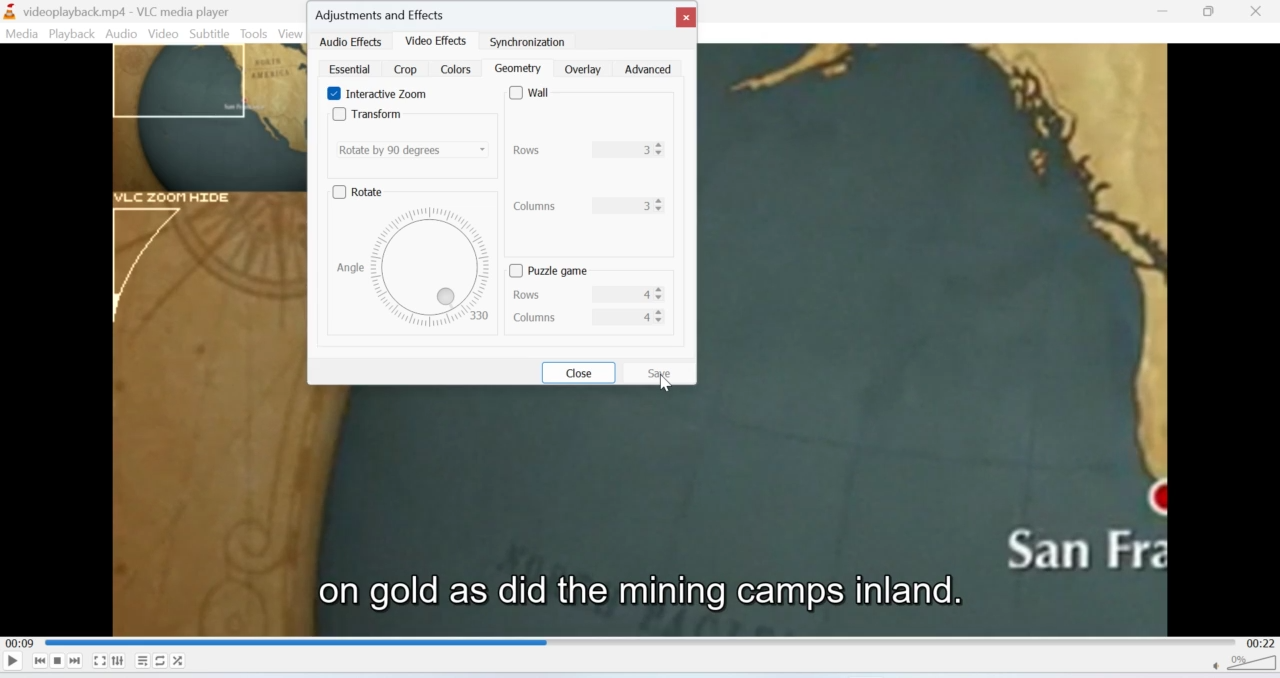 This screenshot has width=1280, height=678. What do you see at coordinates (210, 33) in the screenshot?
I see `Subtitle` at bounding box center [210, 33].